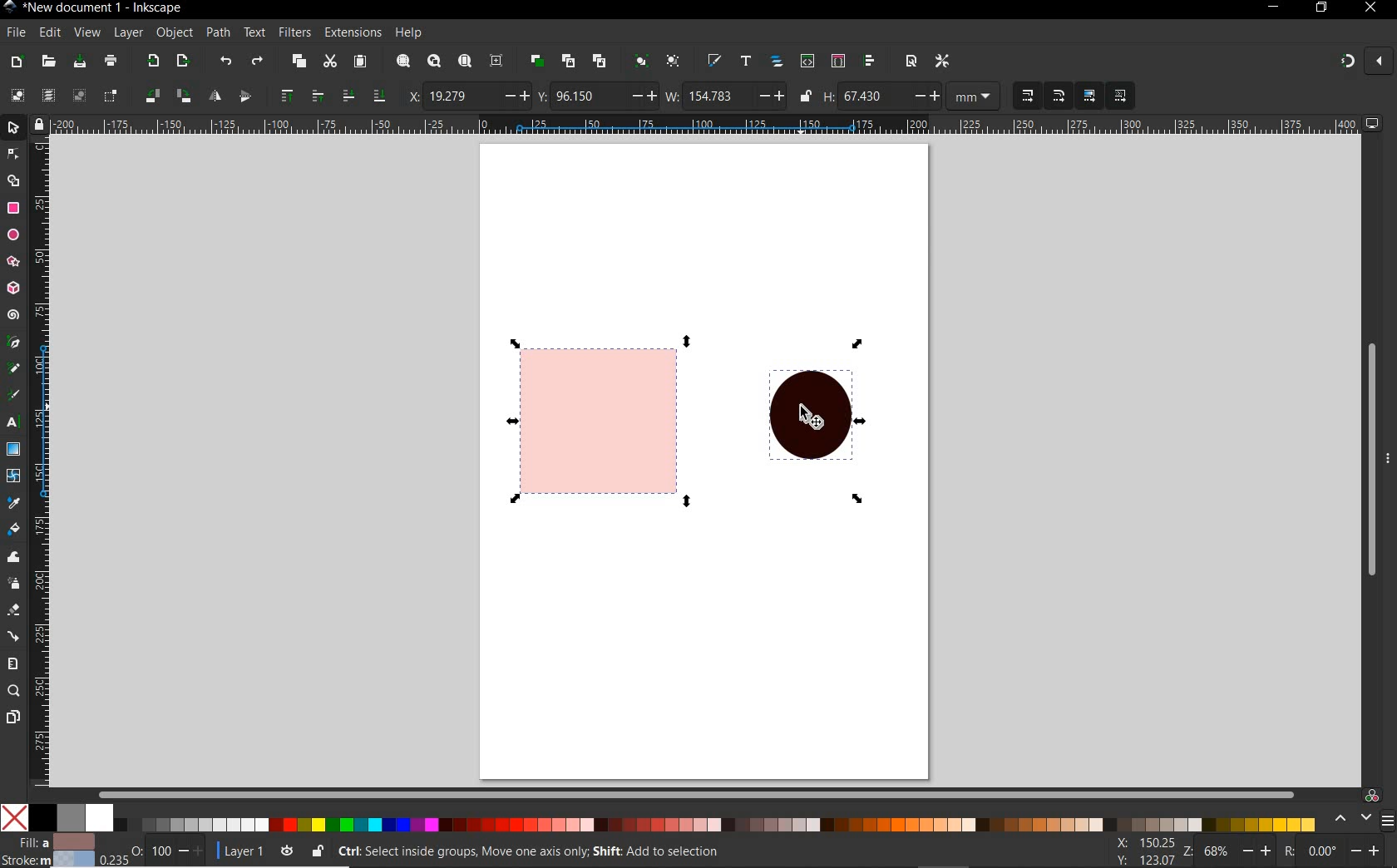  Describe the element at coordinates (174, 32) in the screenshot. I see `object` at that location.